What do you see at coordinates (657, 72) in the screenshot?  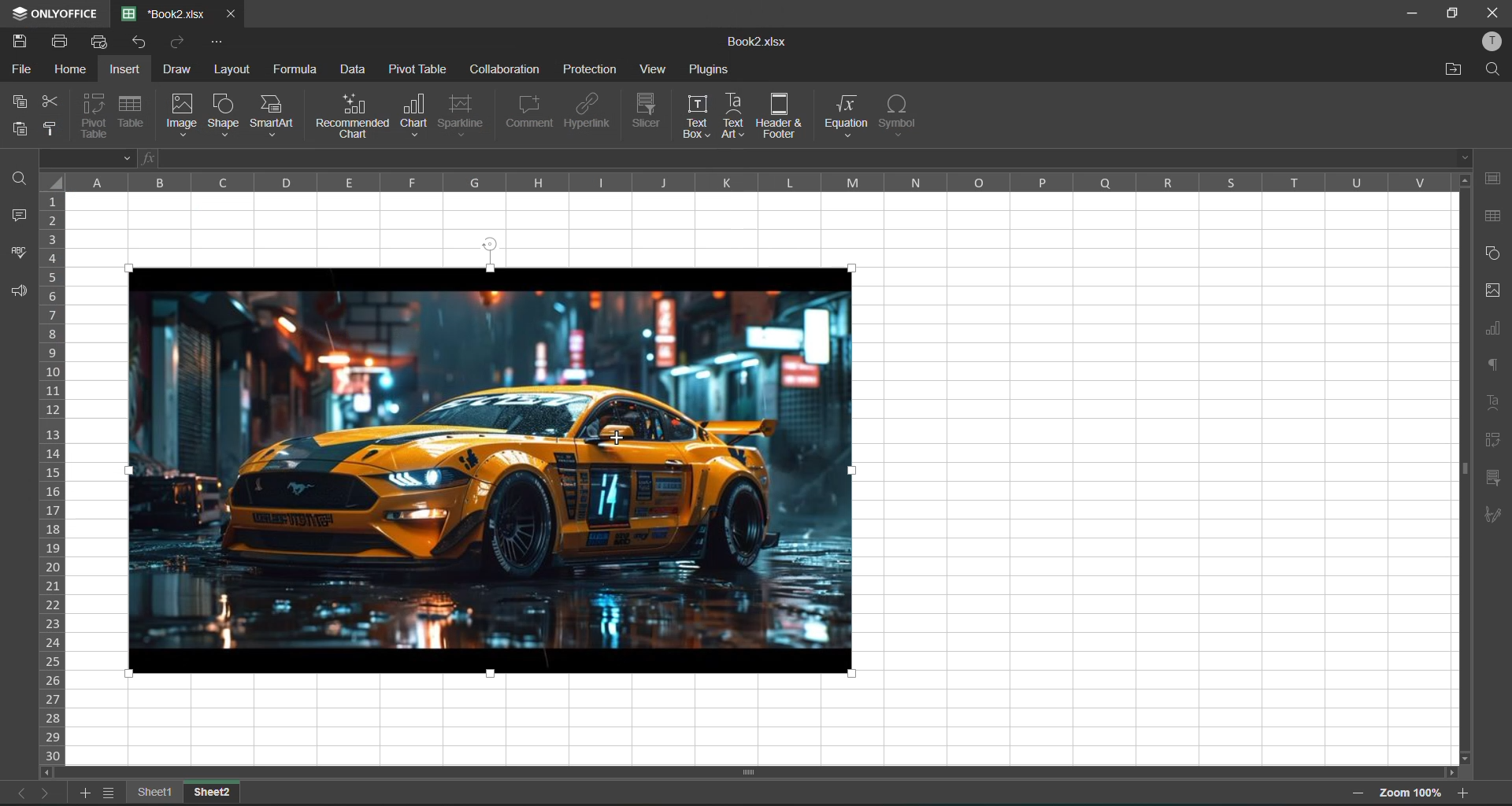 I see `view` at bounding box center [657, 72].